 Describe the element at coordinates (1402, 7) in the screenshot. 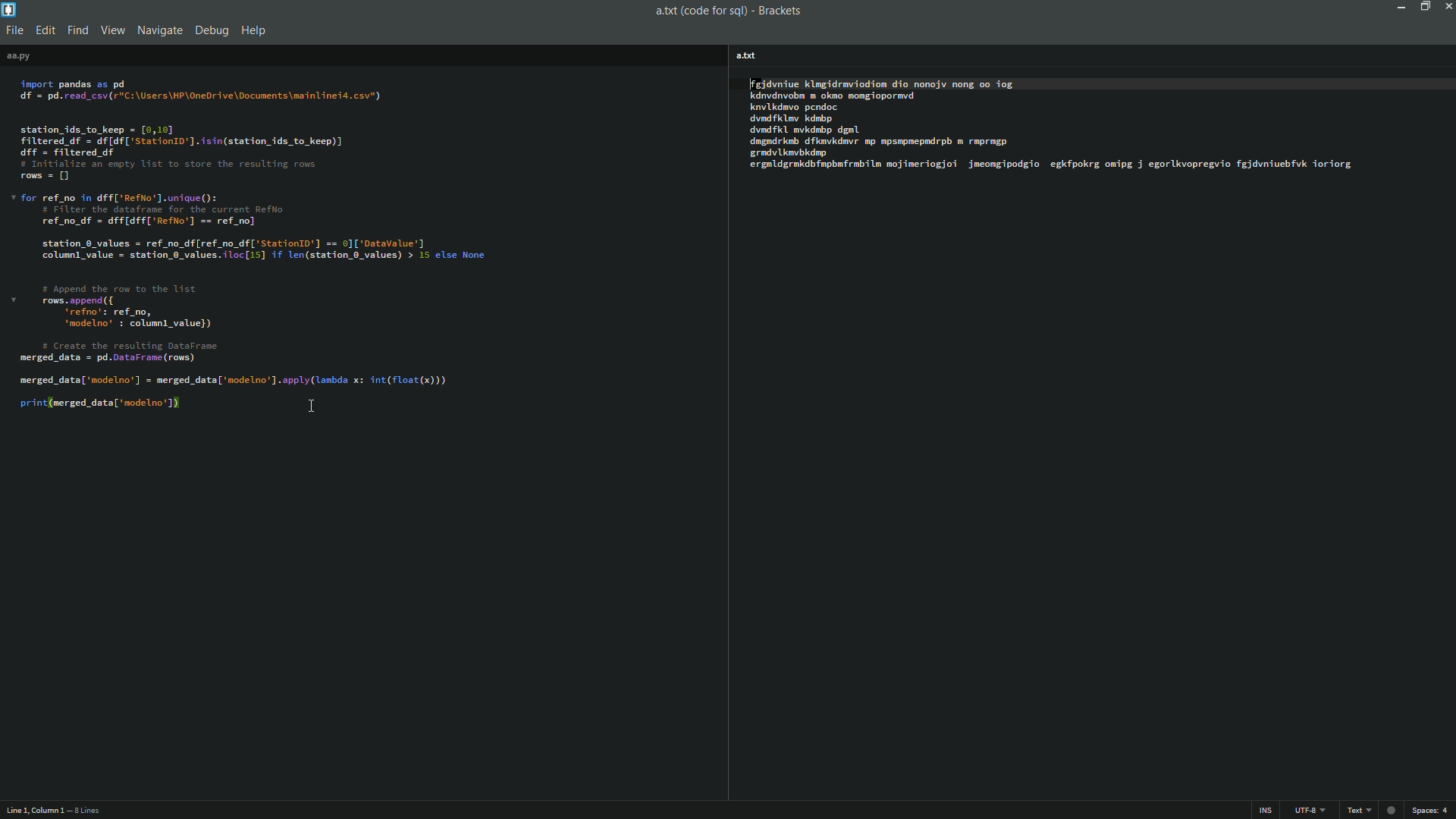

I see `minimize` at that location.